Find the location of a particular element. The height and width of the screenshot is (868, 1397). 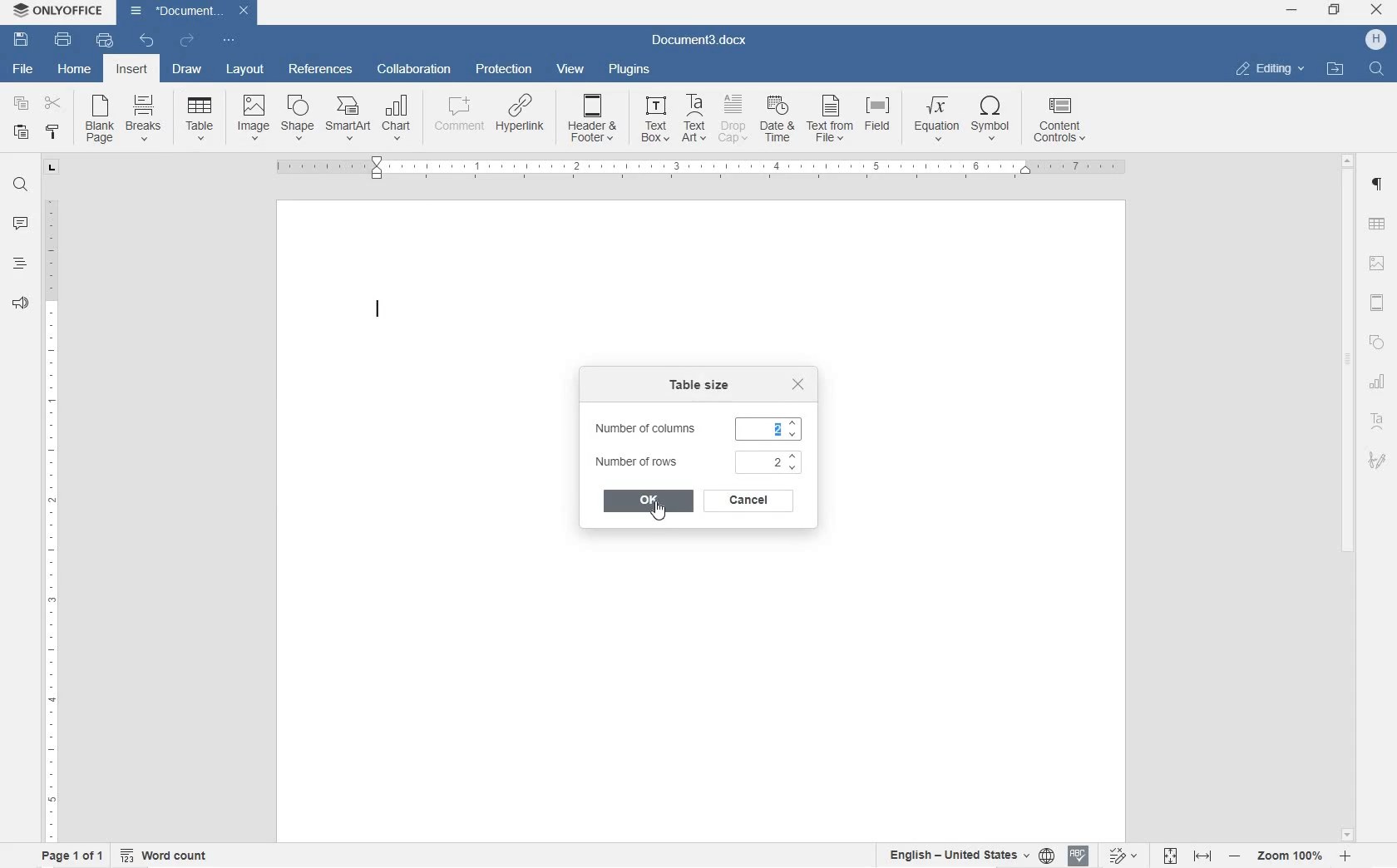

insert table is located at coordinates (200, 118).